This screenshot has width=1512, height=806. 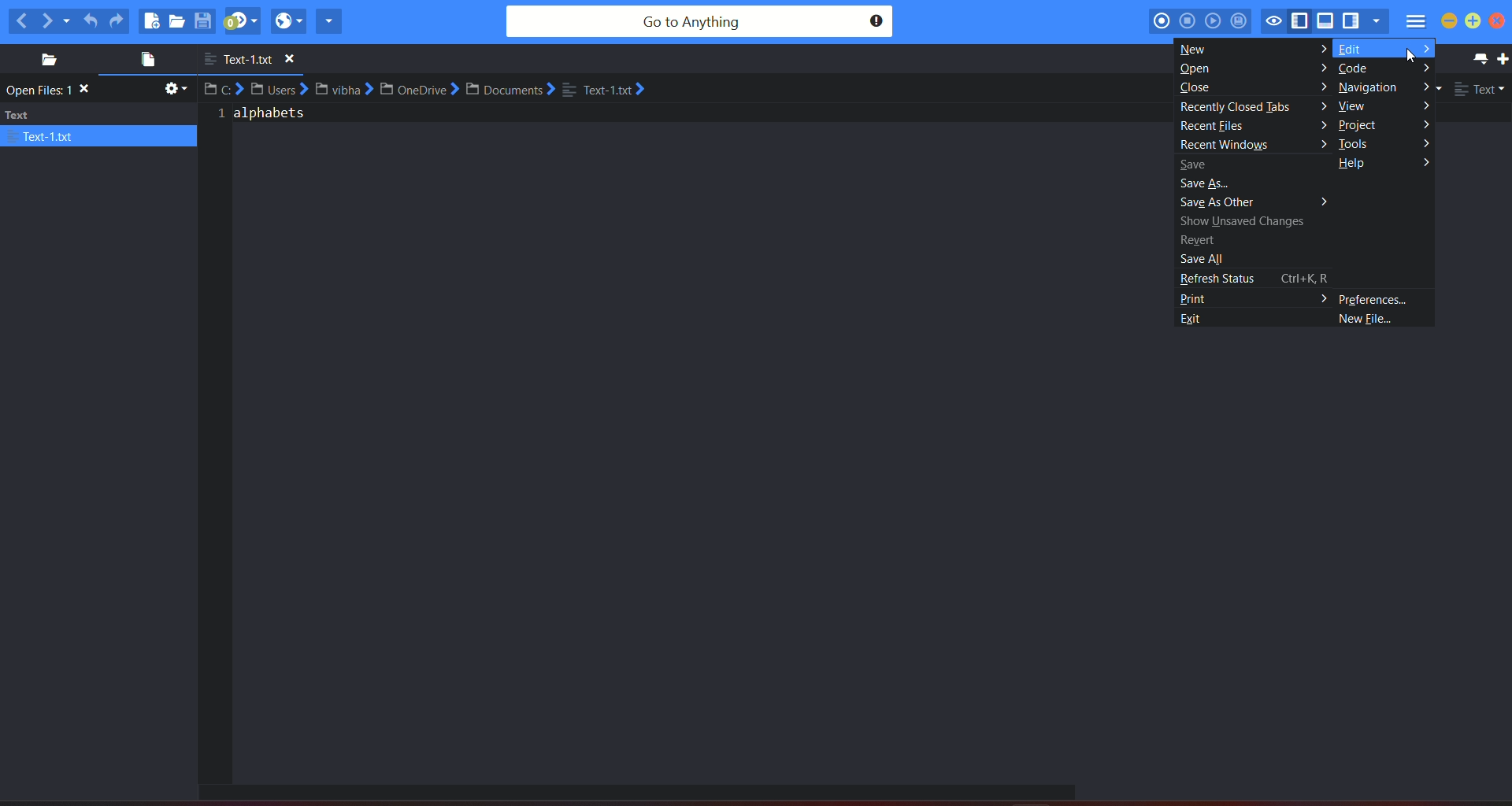 What do you see at coordinates (1224, 203) in the screenshot?
I see `Save As Other` at bounding box center [1224, 203].